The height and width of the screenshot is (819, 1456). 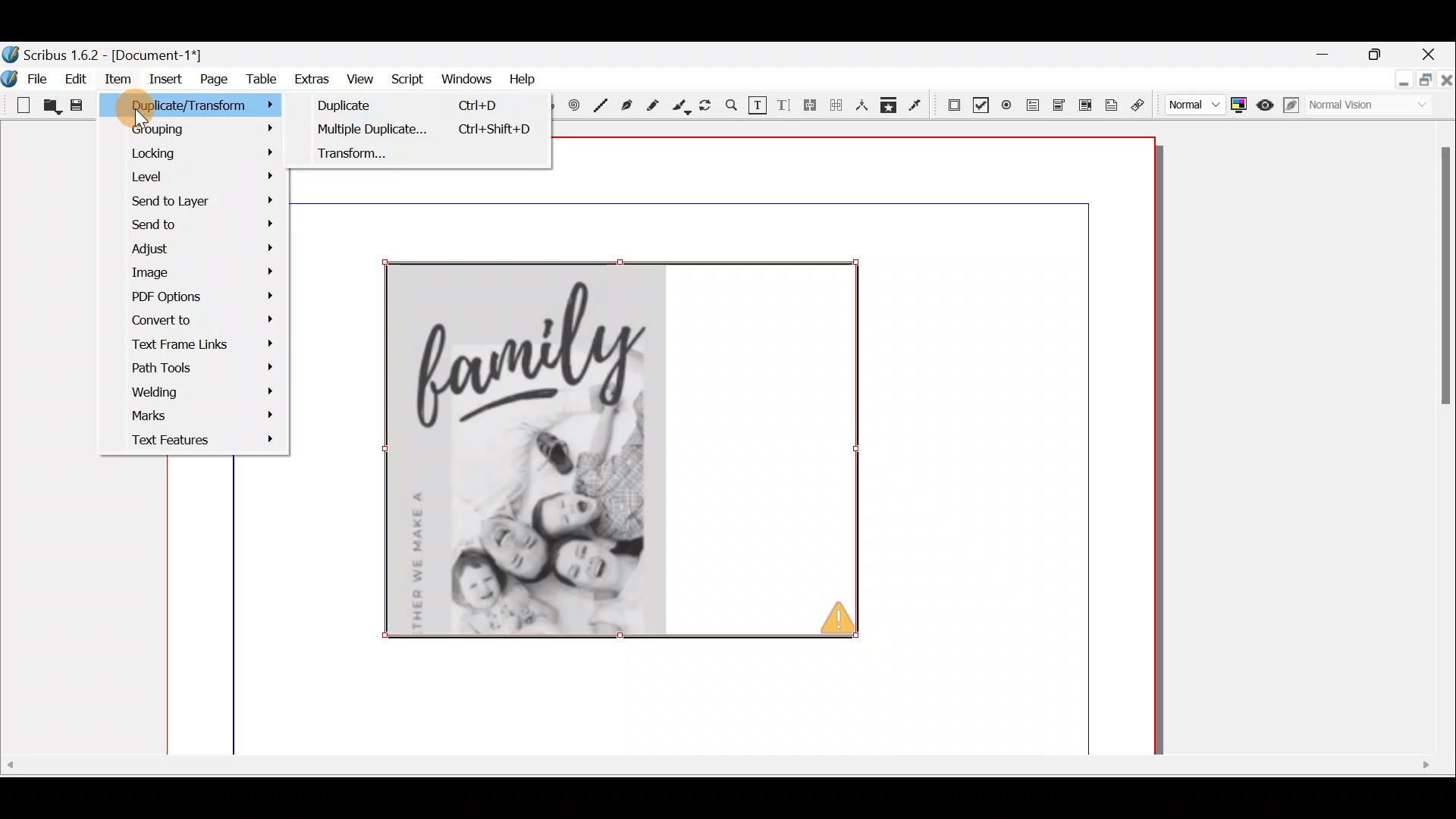 What do you see at coordinates (682, 107) in the screenshot?
I see `Calligraphic line` at bounding box center [682, 107].